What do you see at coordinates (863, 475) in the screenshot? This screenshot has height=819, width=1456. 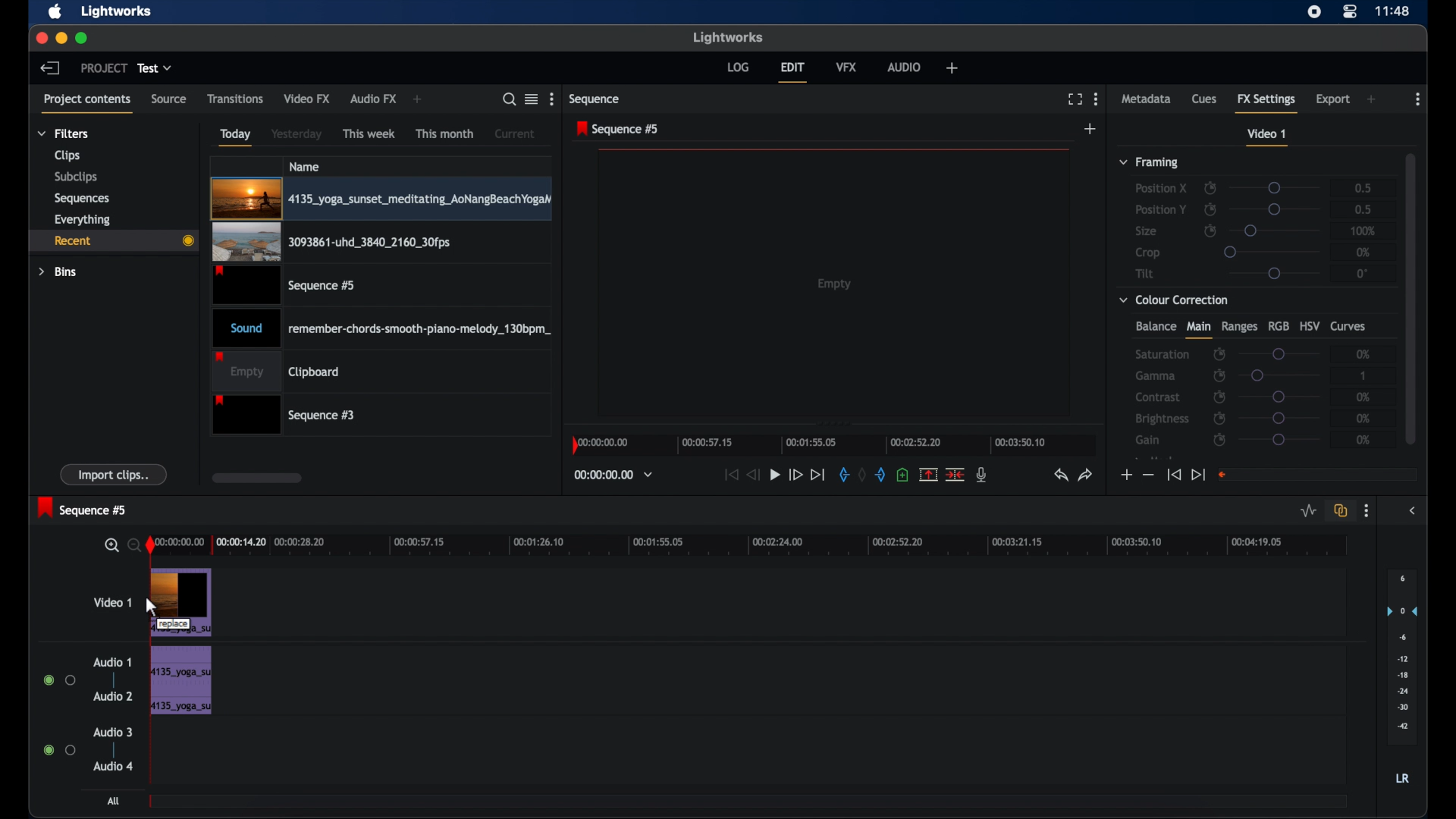 I see `clear marks` at bounding box center [863, 475].